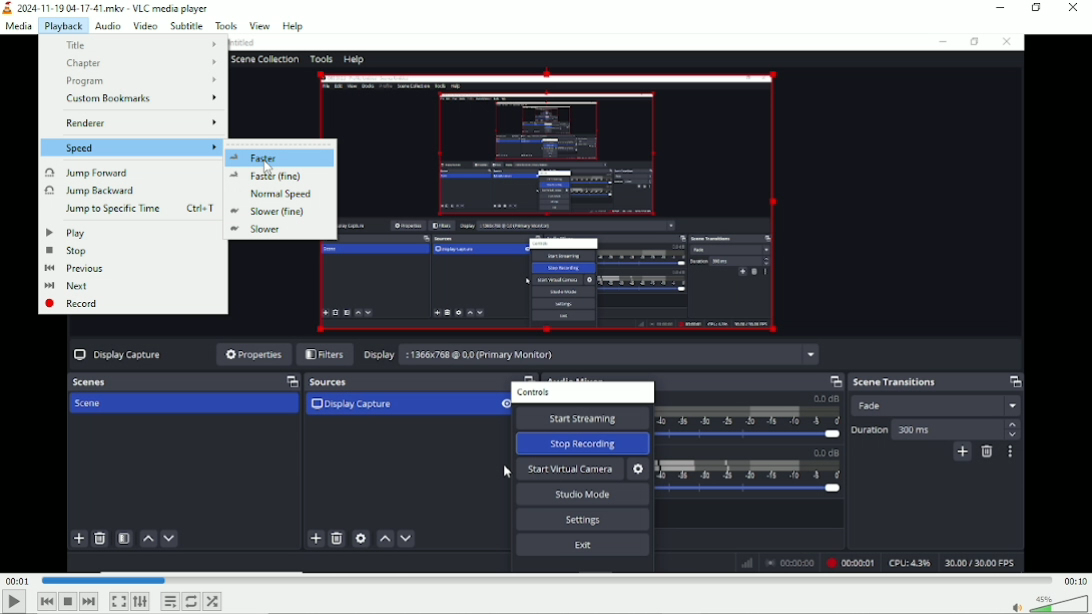 The height and width of the screenshot is (614, 1092). I want to click on faster (fine), so click(278, 176).